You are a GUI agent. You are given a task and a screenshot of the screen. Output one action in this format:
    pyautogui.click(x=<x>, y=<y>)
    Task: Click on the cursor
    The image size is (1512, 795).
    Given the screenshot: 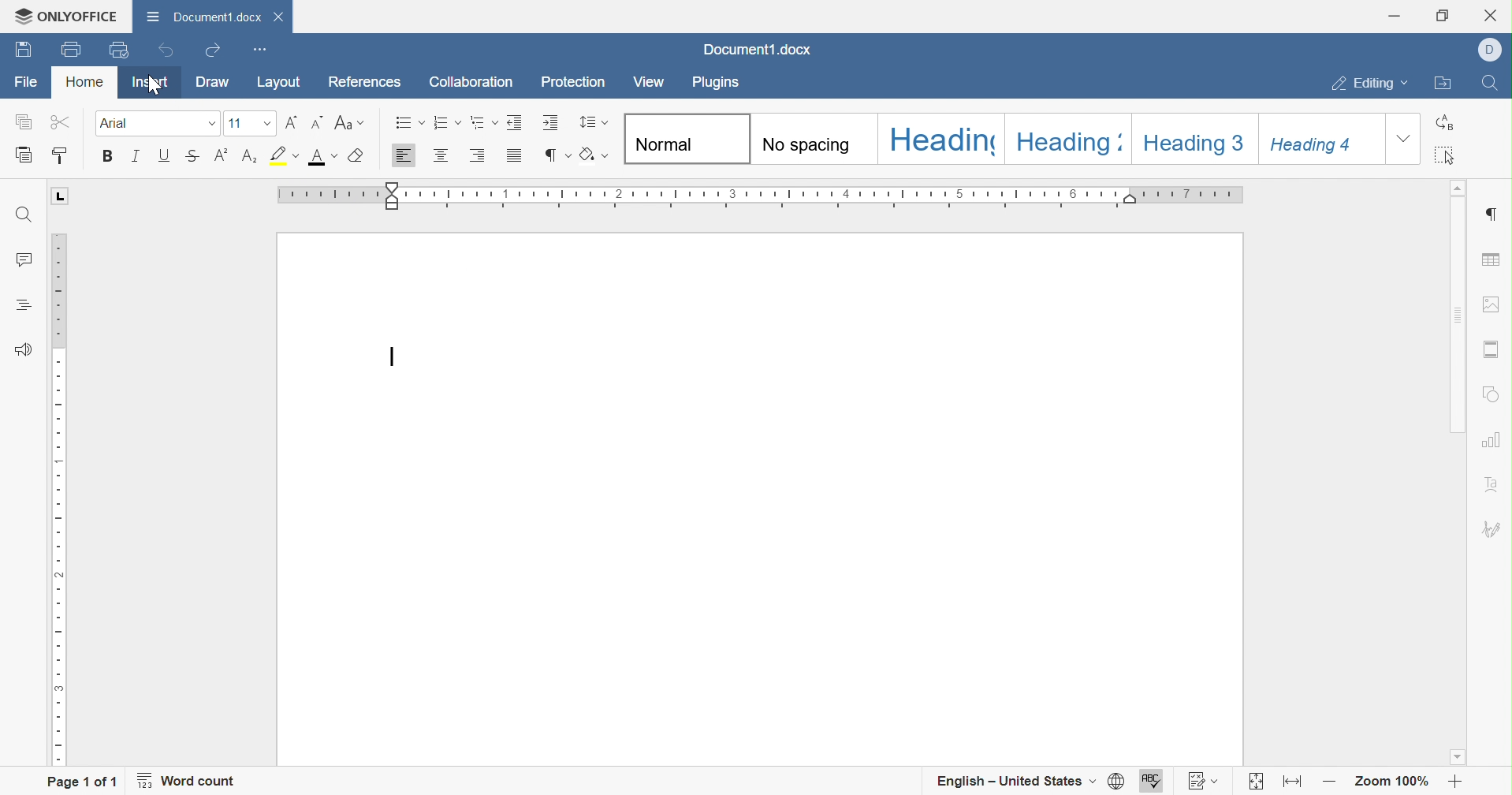 What is the action you would take?
    pyautogui.click(x=159, y=88)
    